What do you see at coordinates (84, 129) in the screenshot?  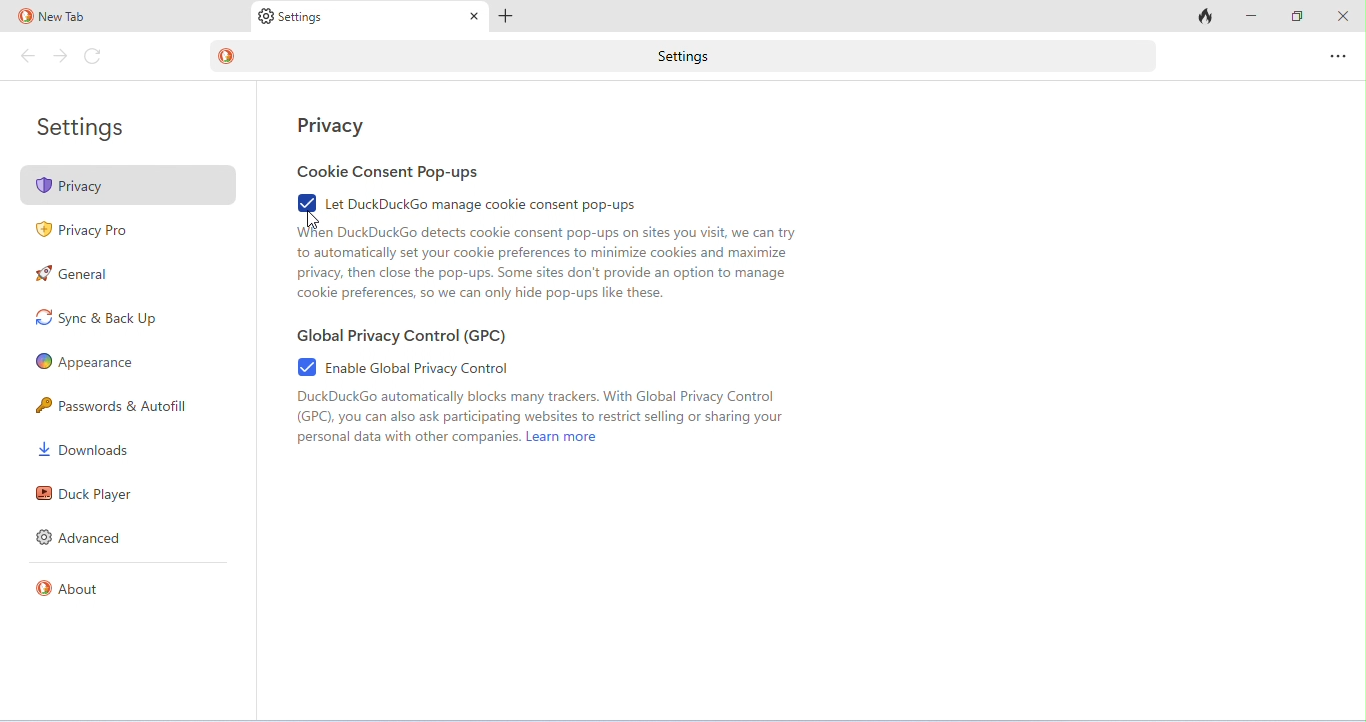 I see `settings` at bounding box center [84, 129].